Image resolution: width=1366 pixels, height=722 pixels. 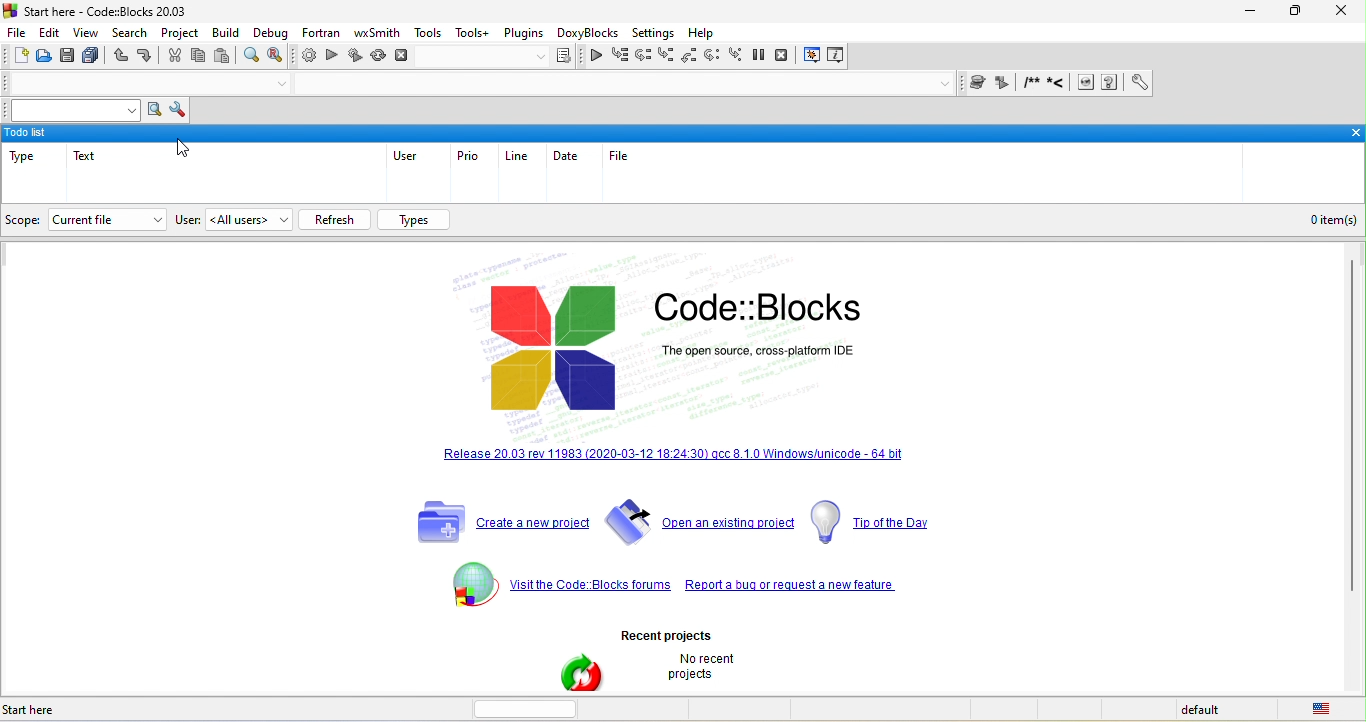 I want to click on run chm, so click(x=1112, y=83).